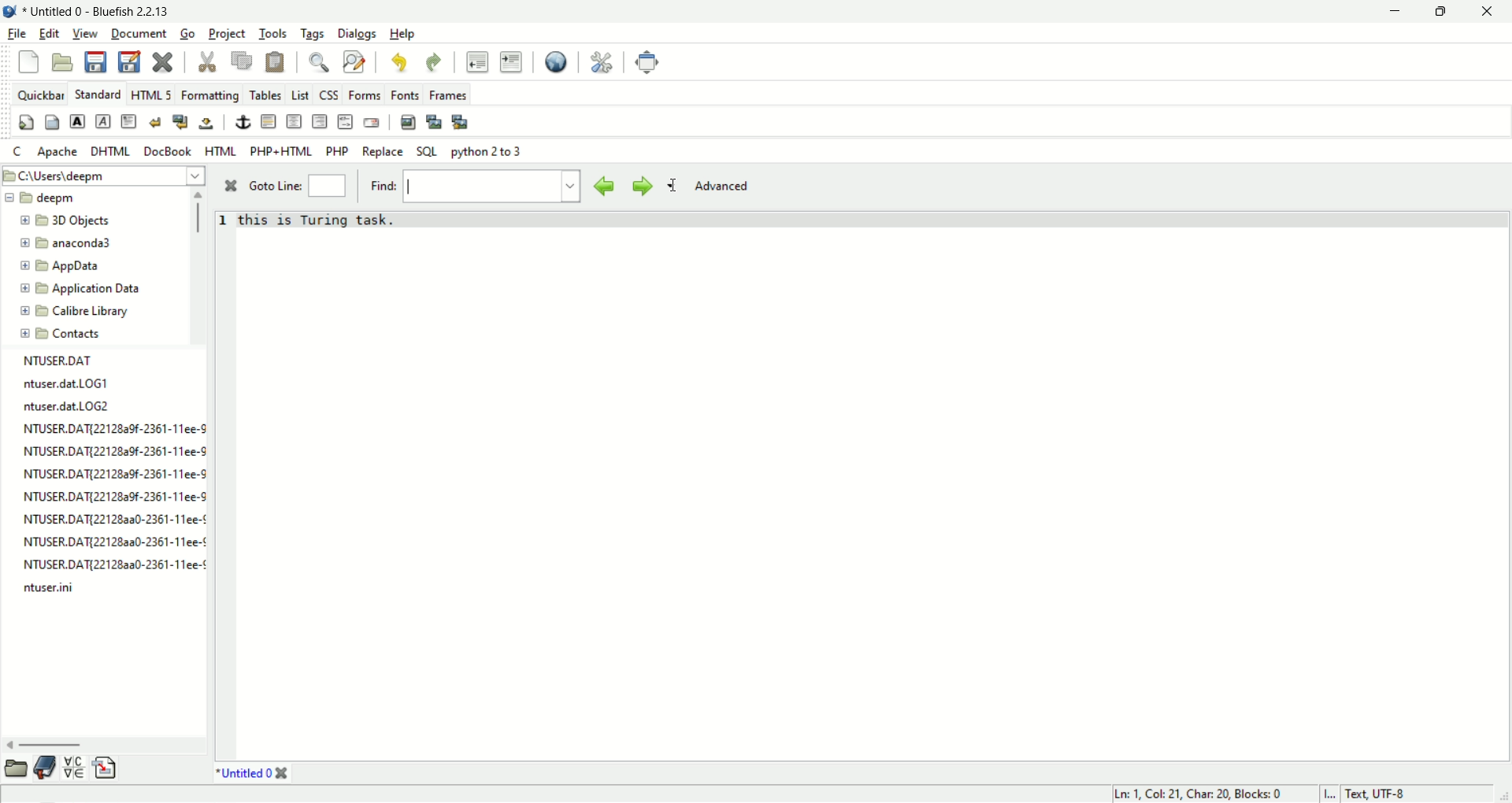  Describe the element at coordinates (281, 152) in the screenshot. I see `PHP+HTML` at that location.